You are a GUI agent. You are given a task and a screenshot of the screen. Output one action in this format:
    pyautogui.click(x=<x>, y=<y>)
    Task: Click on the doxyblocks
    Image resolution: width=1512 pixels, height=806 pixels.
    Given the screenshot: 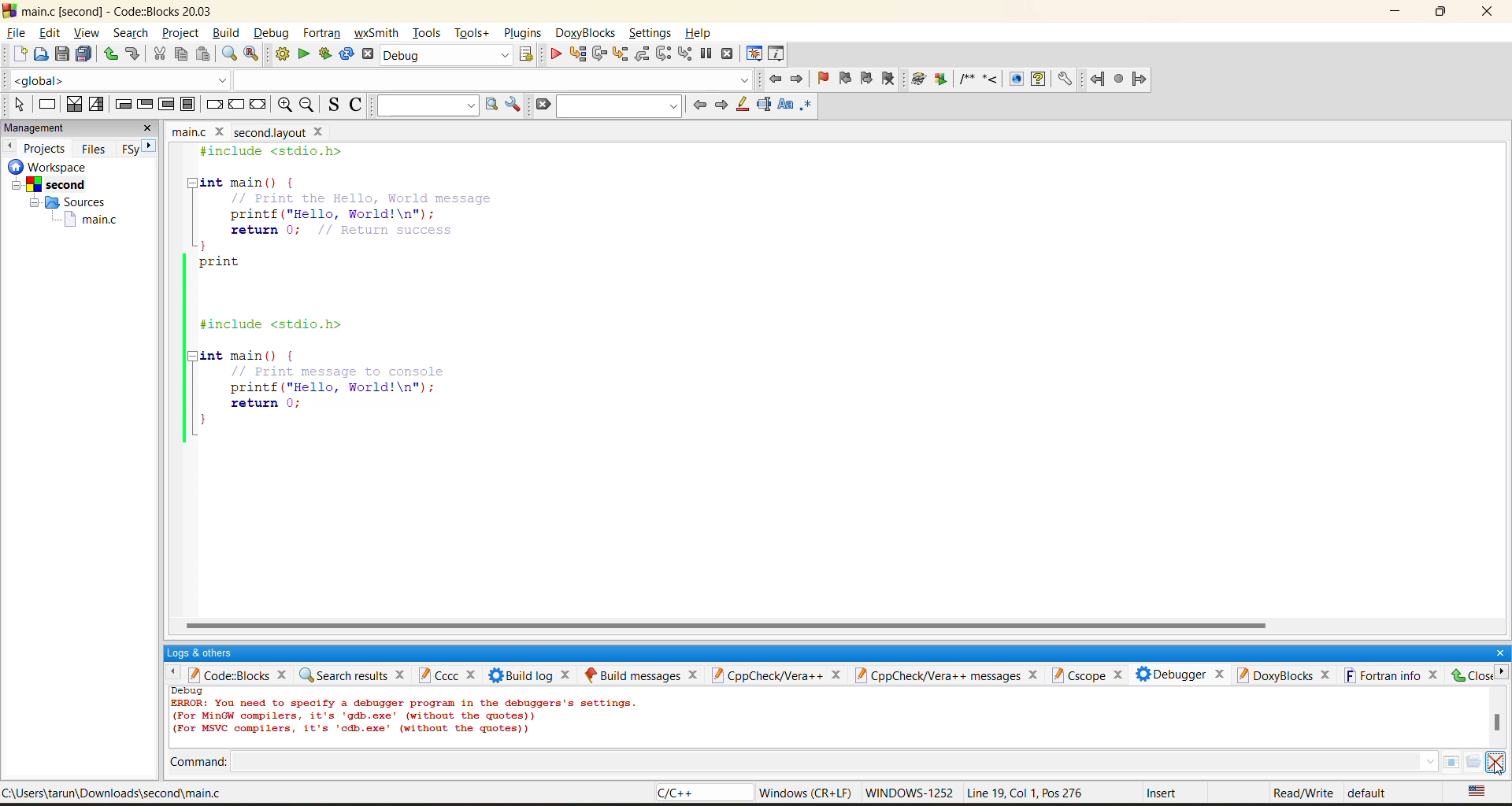 What is the action you would take?
    pyautogui.click(x=995, y=79)
    